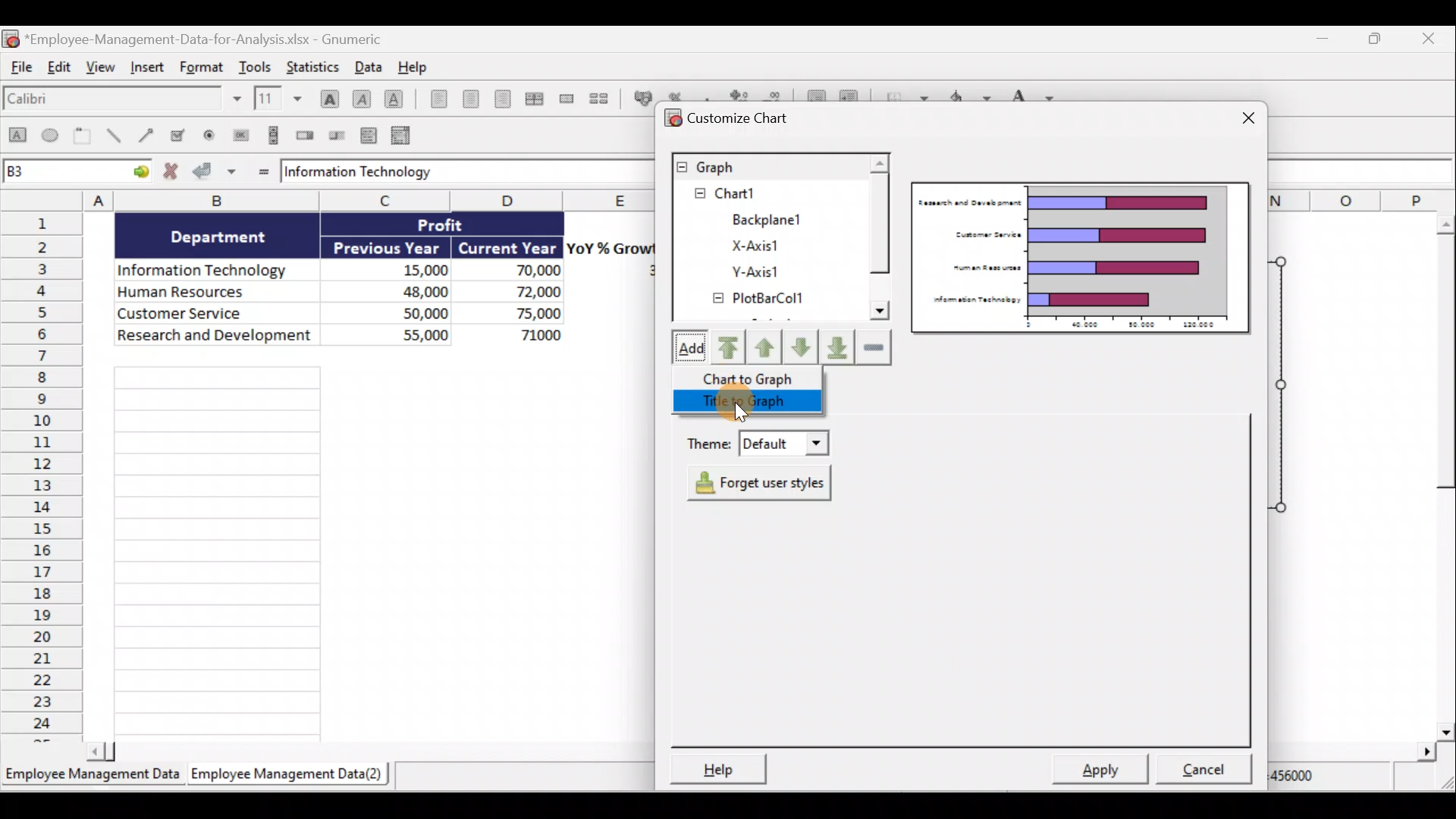 The width and height of the screenshot is (1456, 819). What do you see at coordinates (761, 217) in the screenshot?
I see `Backplane 1` at bounding box center [761, 217].